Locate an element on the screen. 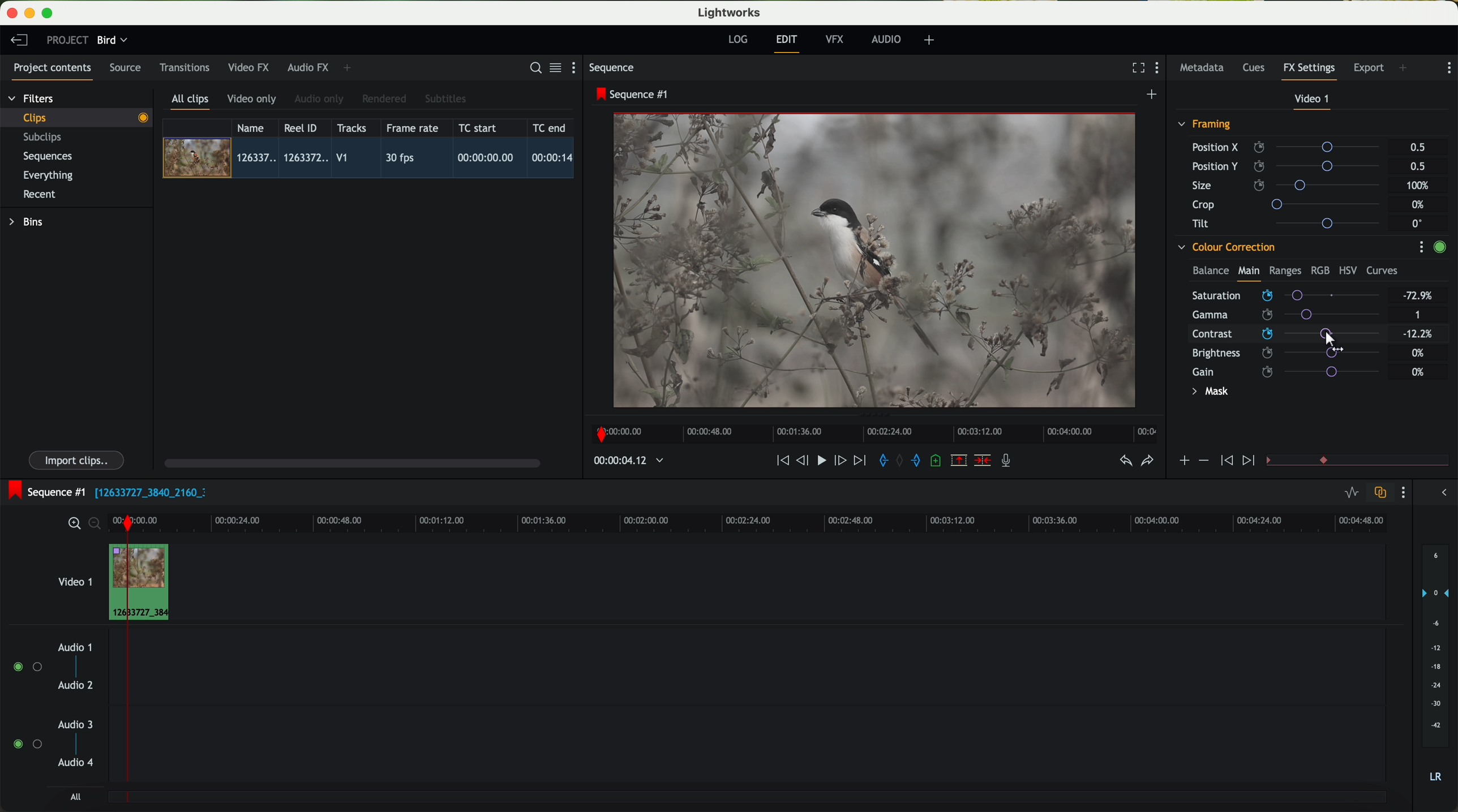  filters is located at coordinates (32, 98).